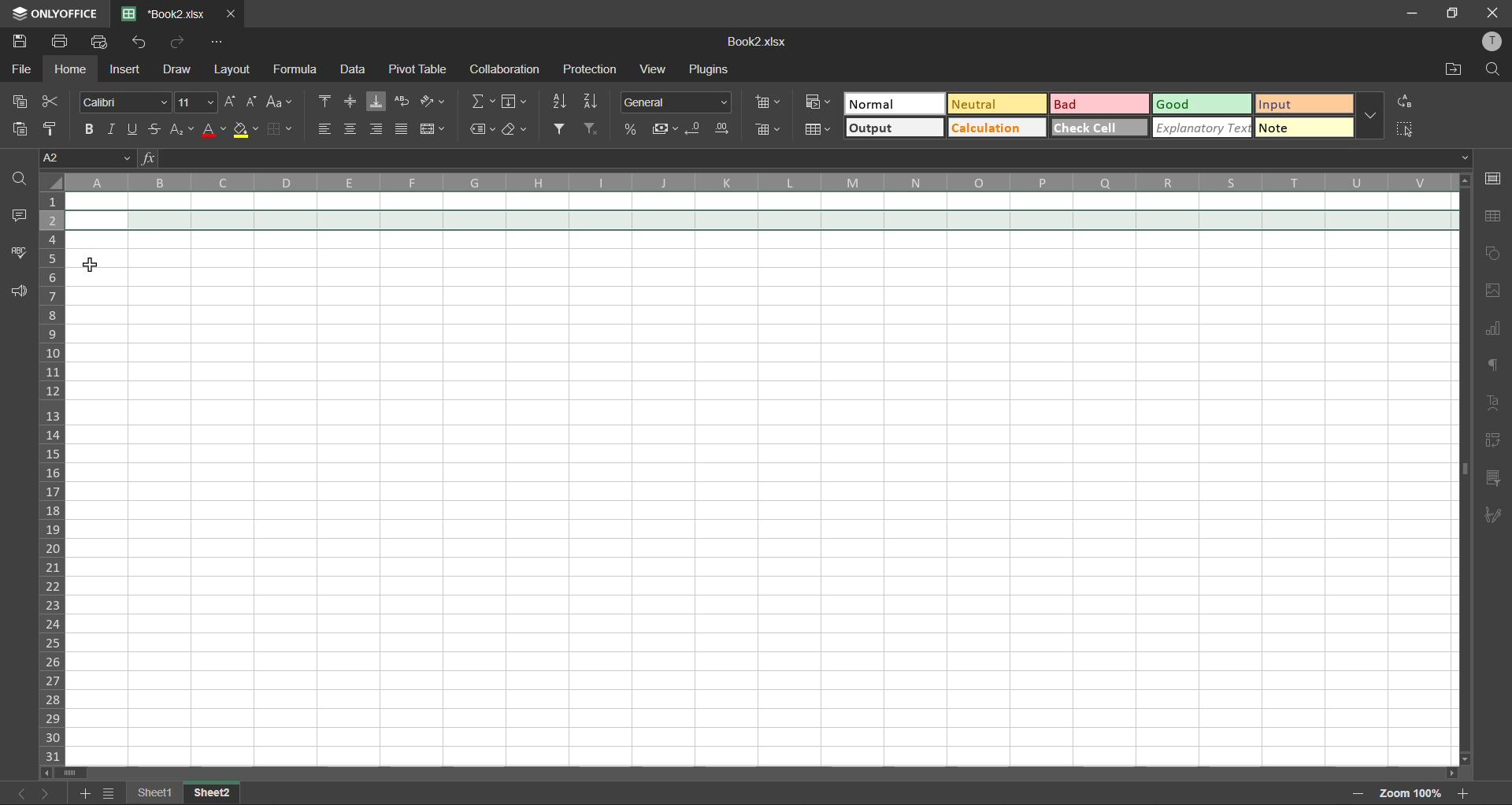  Describe the element at coordinates (158, 792) in the screenshot. I see `sheet names` at that location.